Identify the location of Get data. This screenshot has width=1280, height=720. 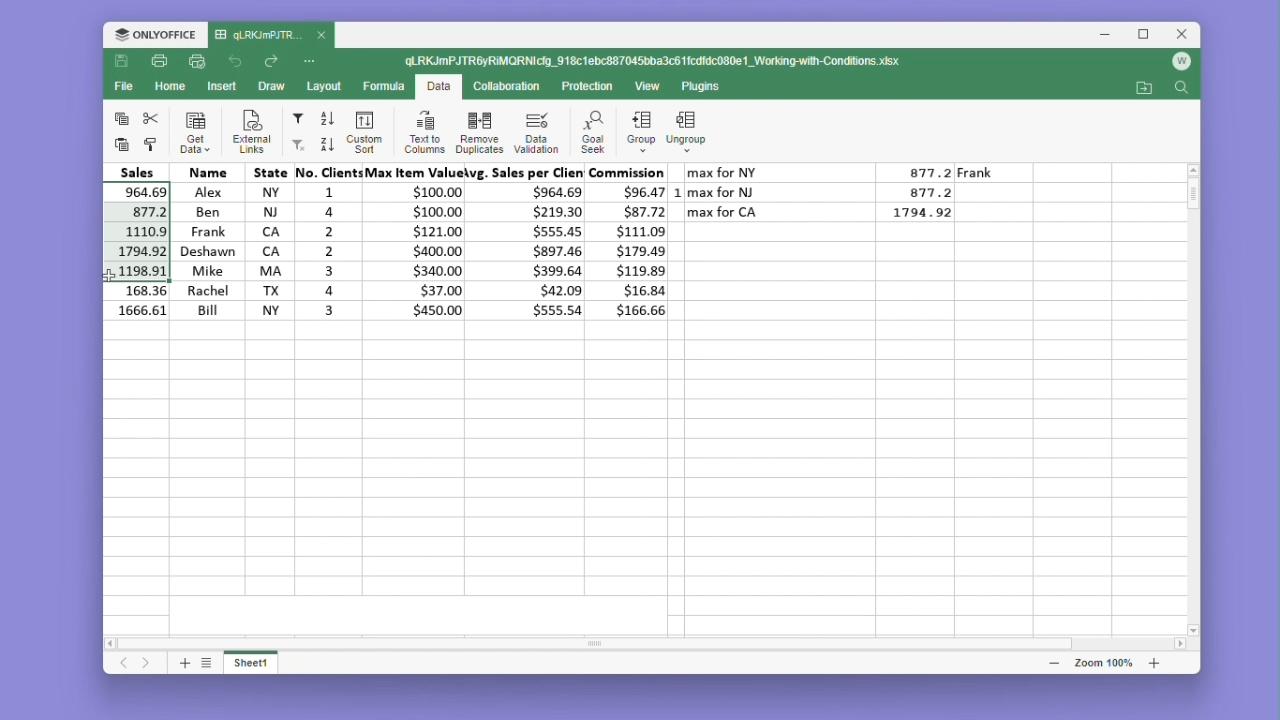
(196, 132).